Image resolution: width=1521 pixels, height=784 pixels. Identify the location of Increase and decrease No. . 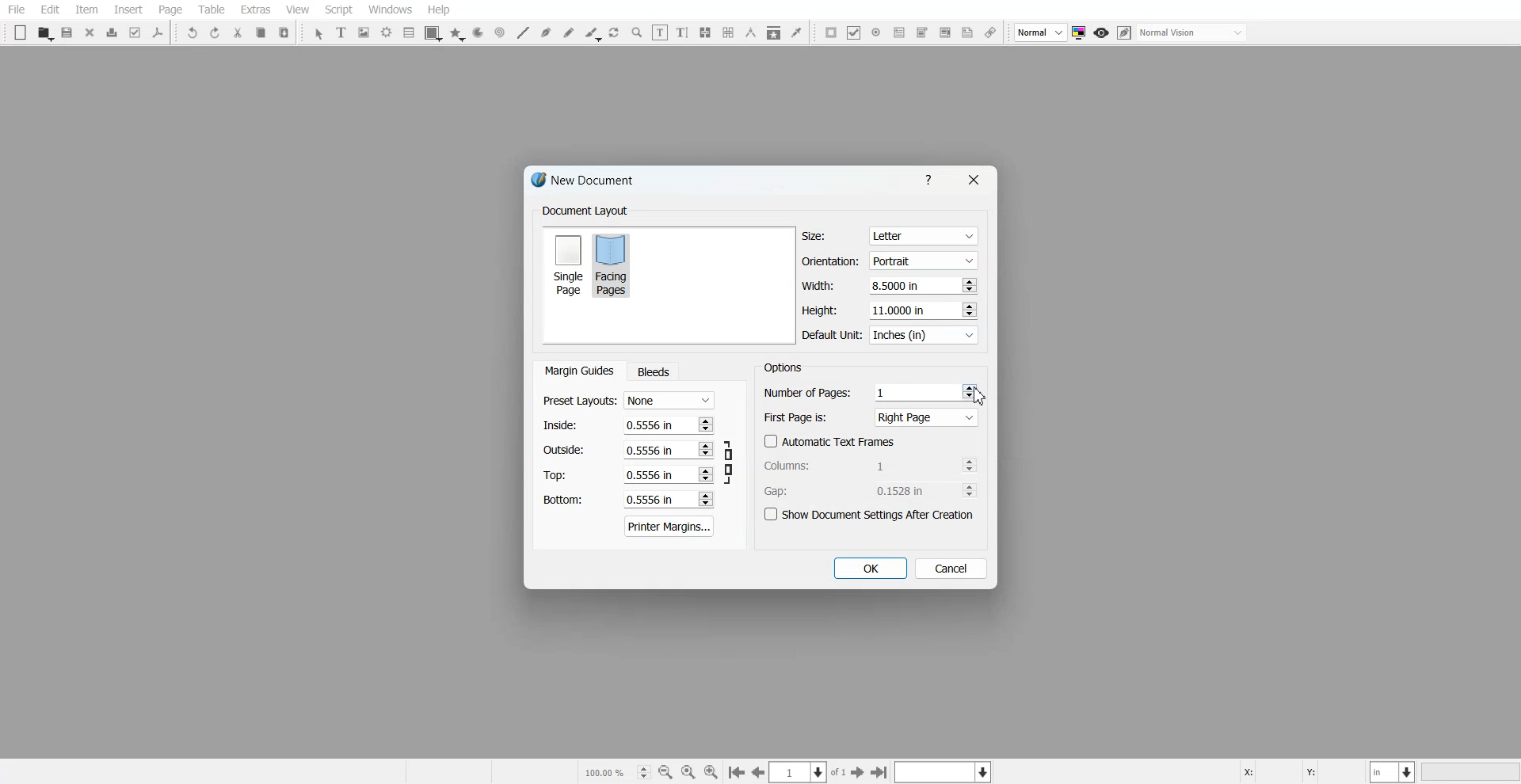
(705, 475).